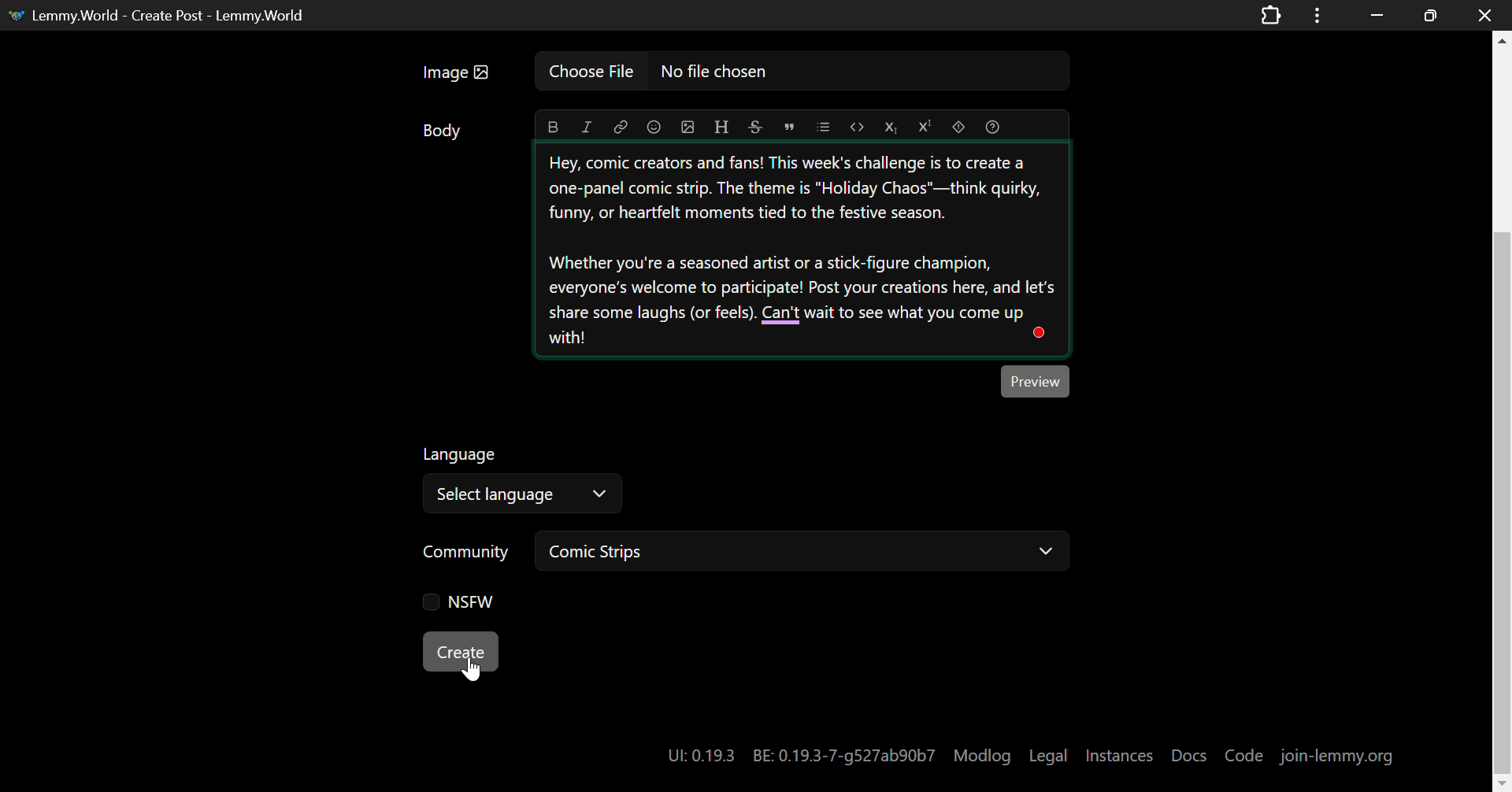 Image resolution: width=1512 pixels, height=792 pixels. What do you see at coordinates (996, 126) in the screenshot?
I see `Formatting Help` at bounding box center [996, 126].